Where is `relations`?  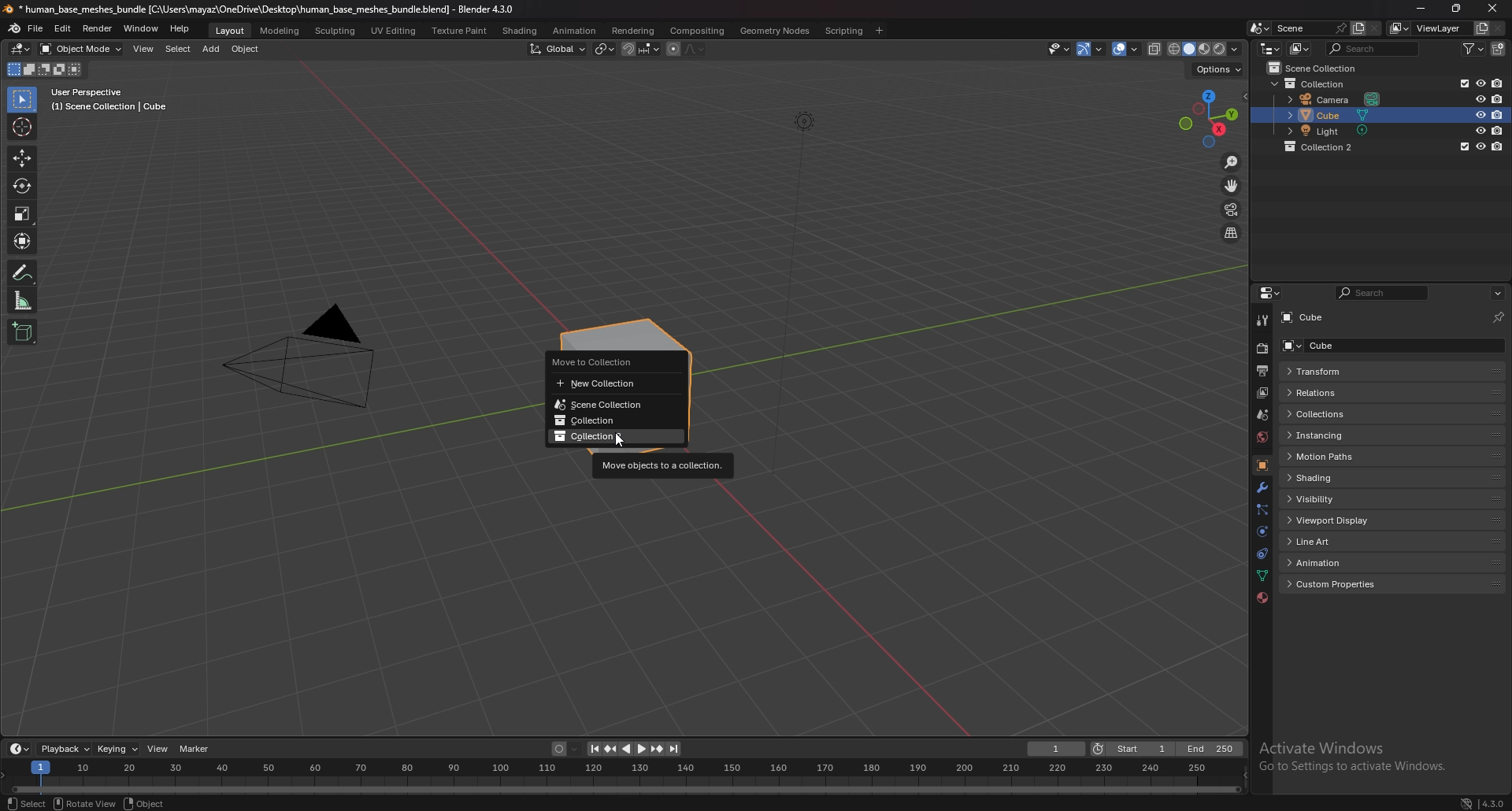
relations is located at coordinates (1342, 392).